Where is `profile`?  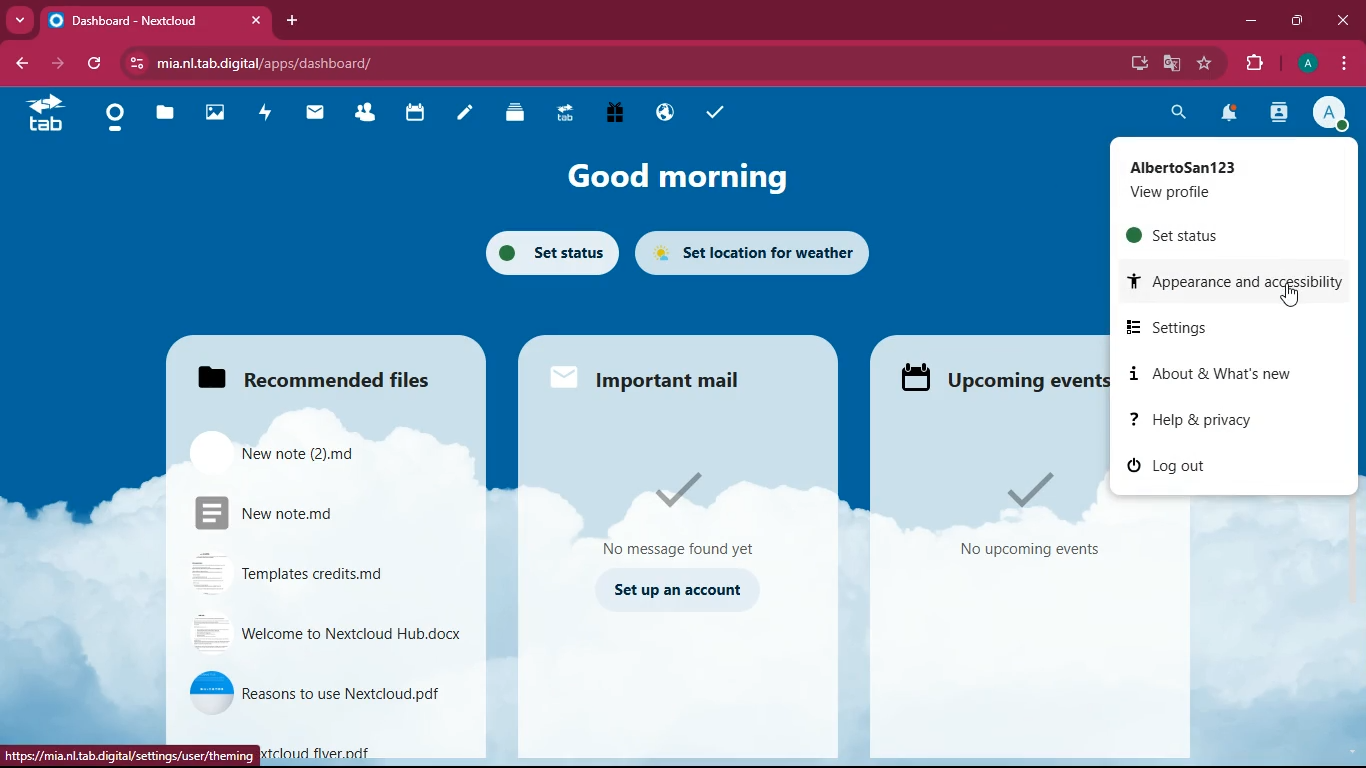 profile is located at coordinates (1234, 179).